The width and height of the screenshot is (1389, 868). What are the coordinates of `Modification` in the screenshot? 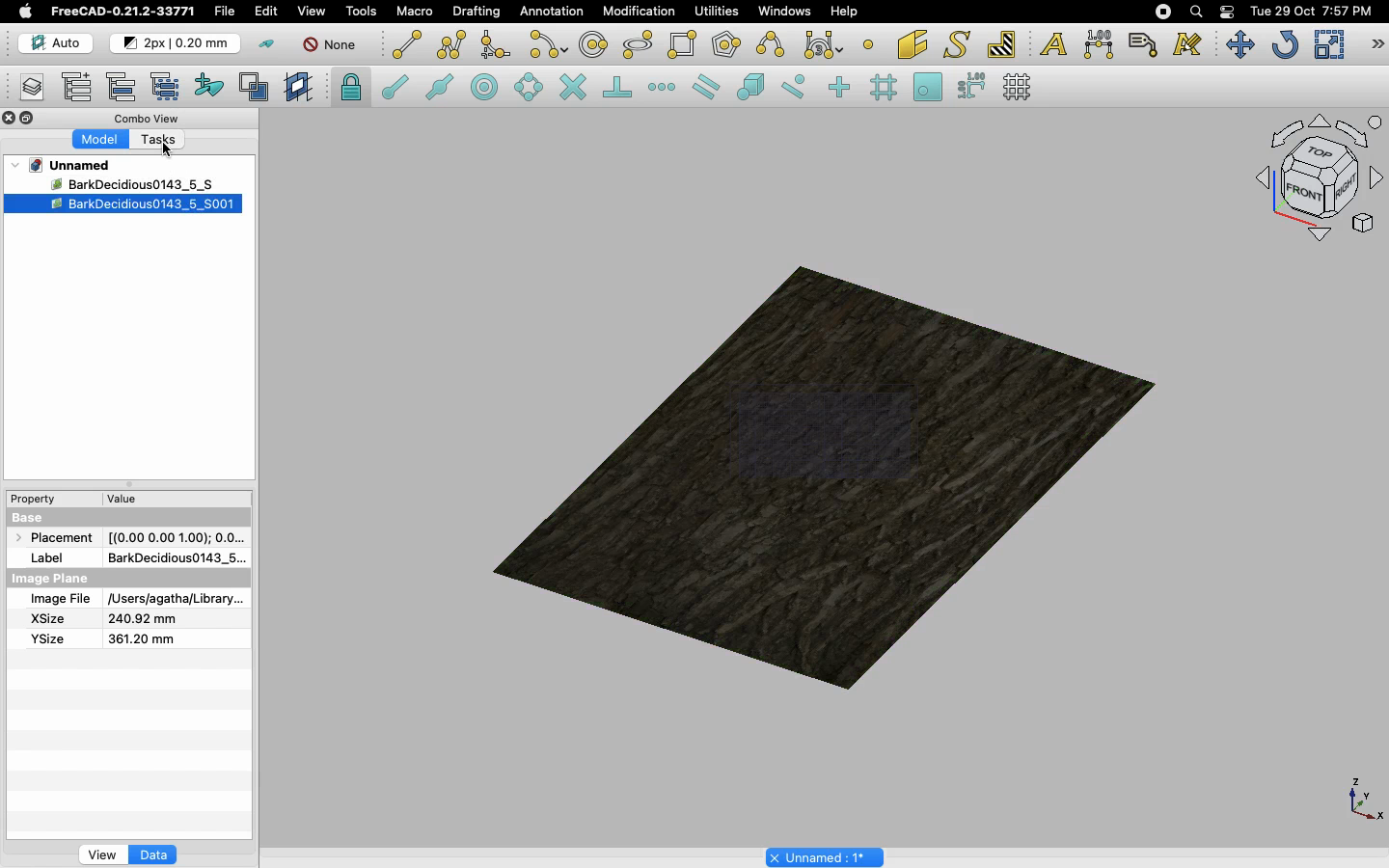 It's located at (643, 14).